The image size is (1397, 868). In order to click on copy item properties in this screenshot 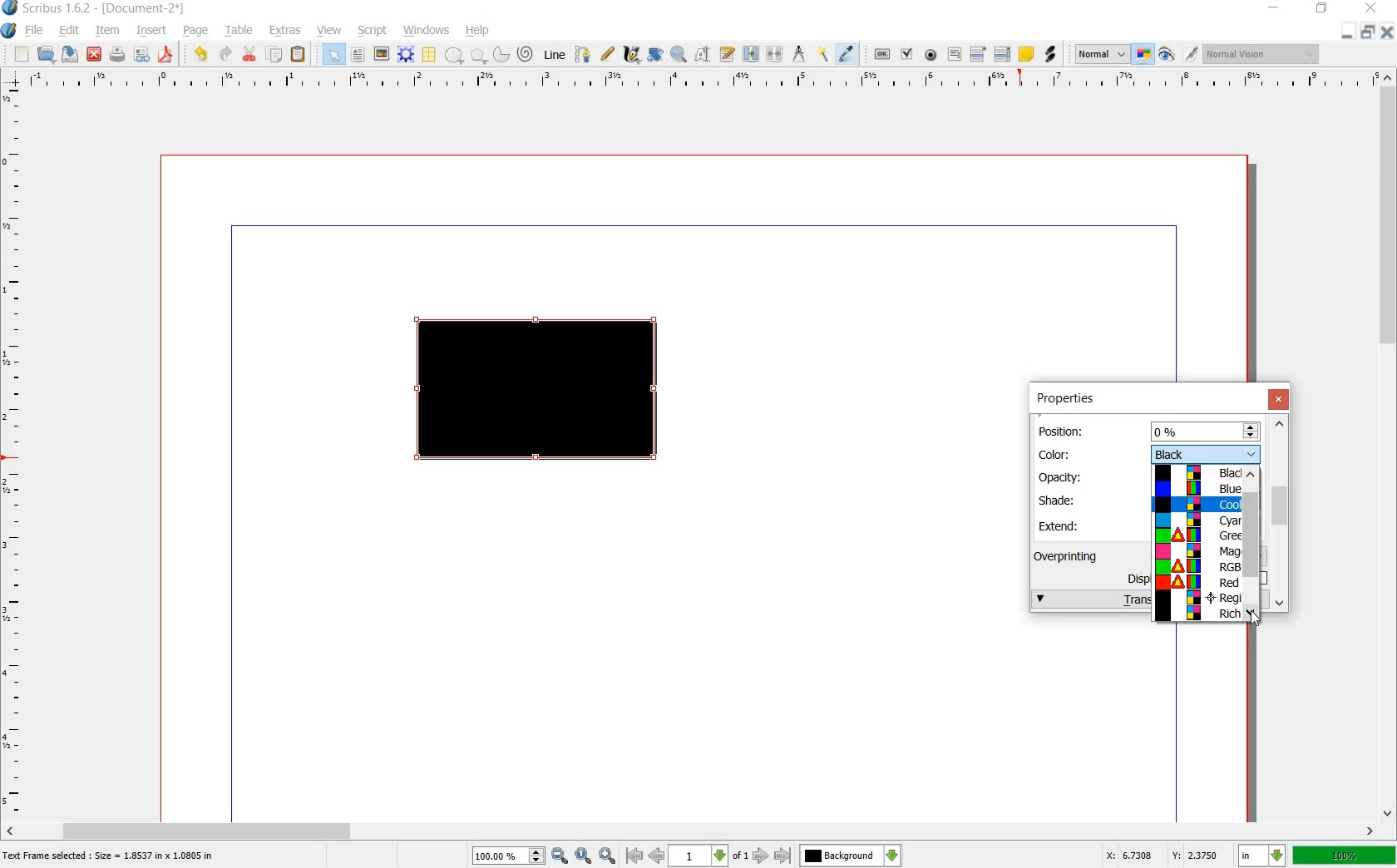, I will do `click(824, 53)`.